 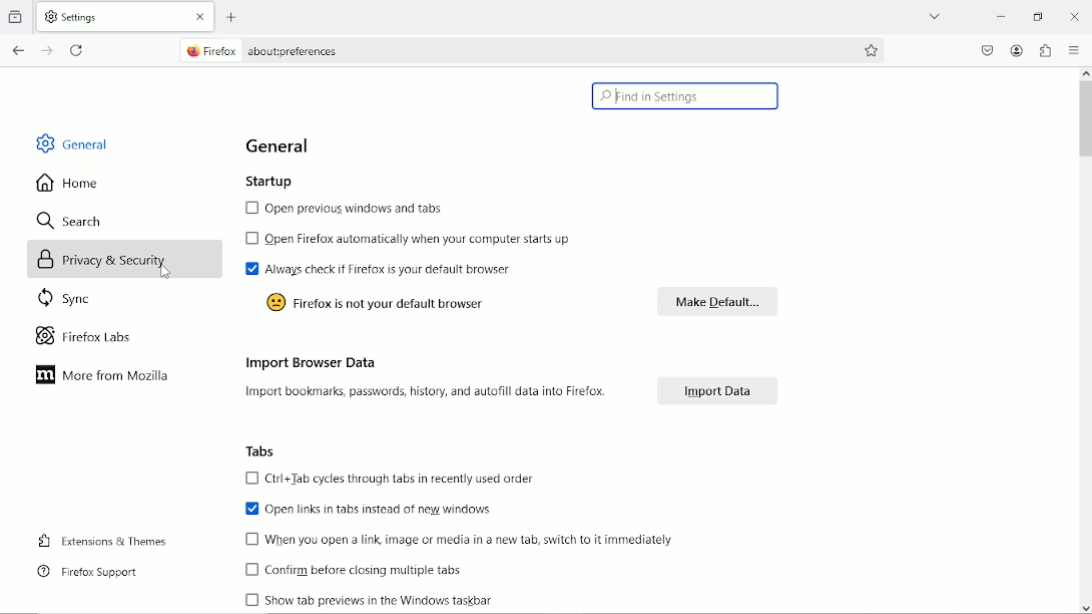 I want to click on text, so click(x=419, y=237).